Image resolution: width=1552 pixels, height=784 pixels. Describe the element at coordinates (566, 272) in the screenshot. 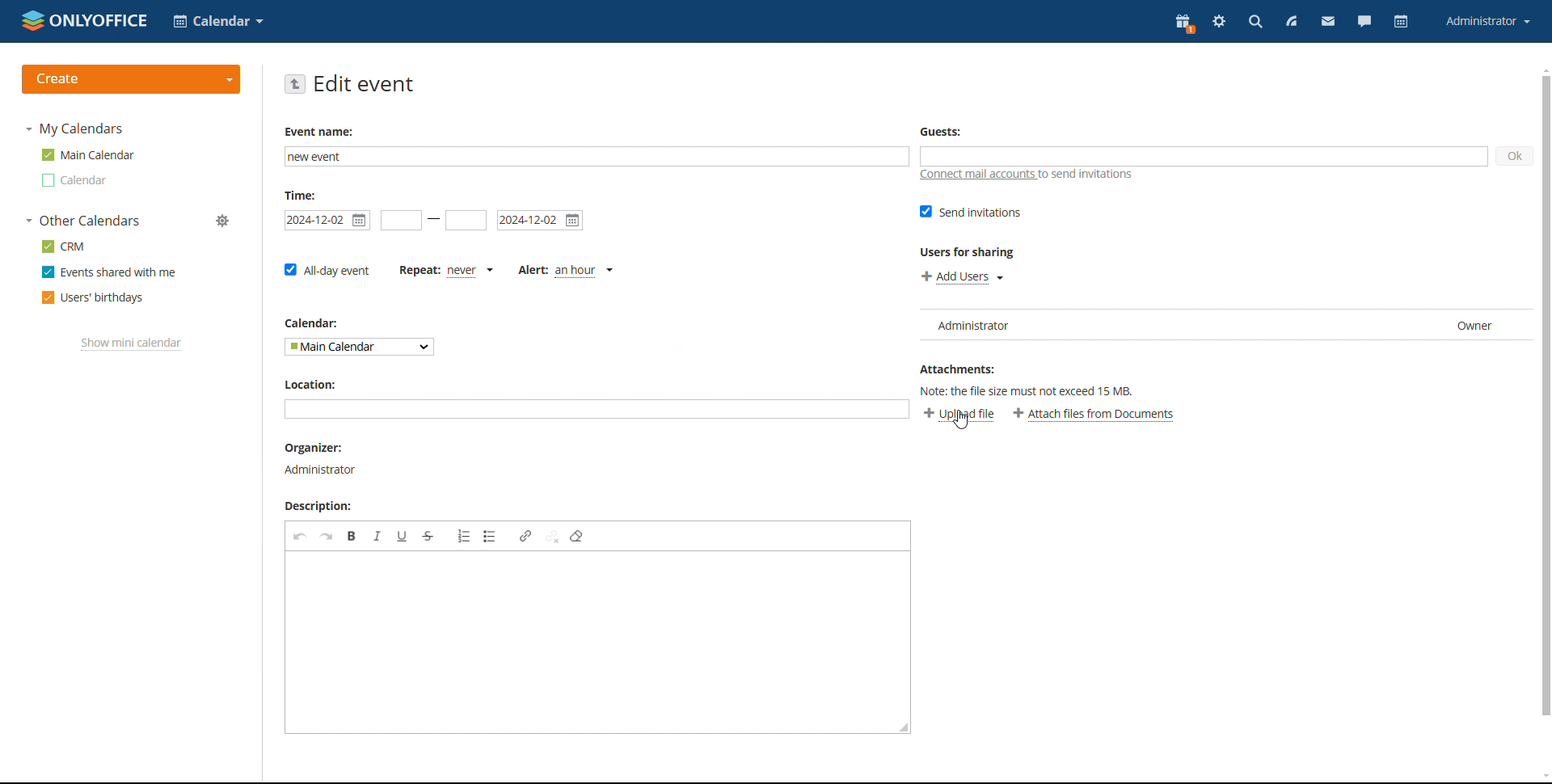

I see `alert type` at that location.